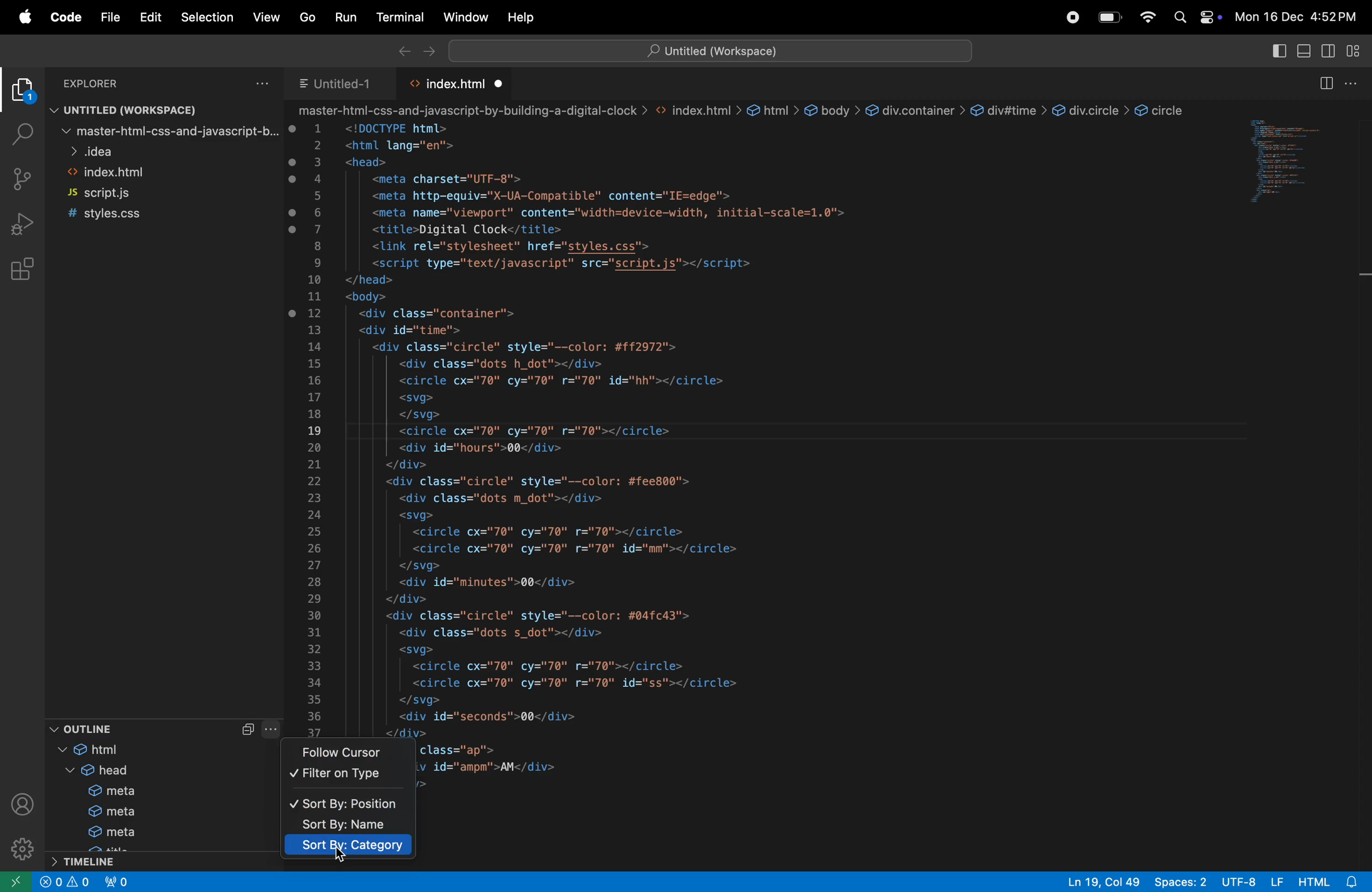  I want to click on battery, so click(1110, 16).